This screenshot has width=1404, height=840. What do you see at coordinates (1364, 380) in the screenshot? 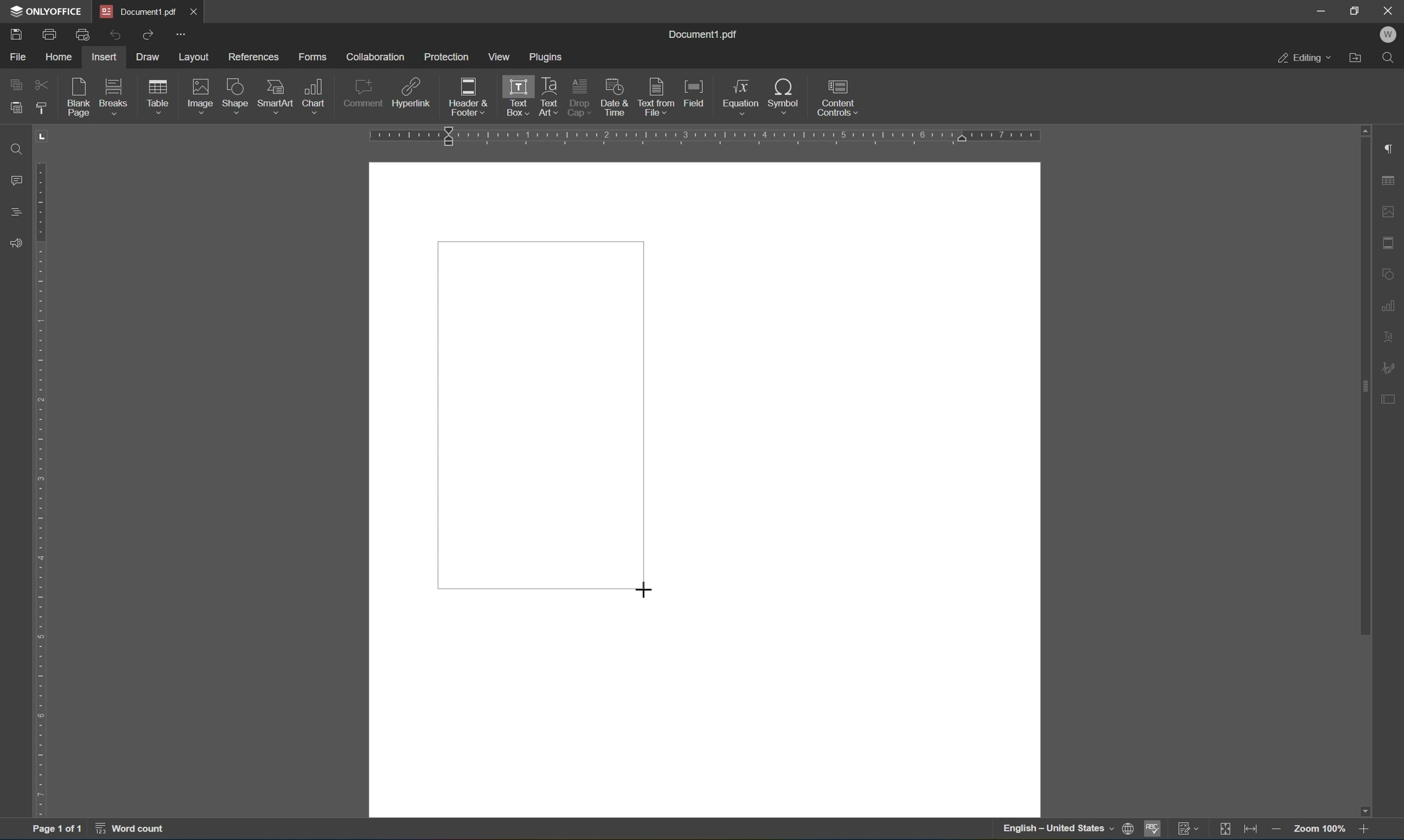
I see `scroll bar settings` at bounding box center [1364, 380].